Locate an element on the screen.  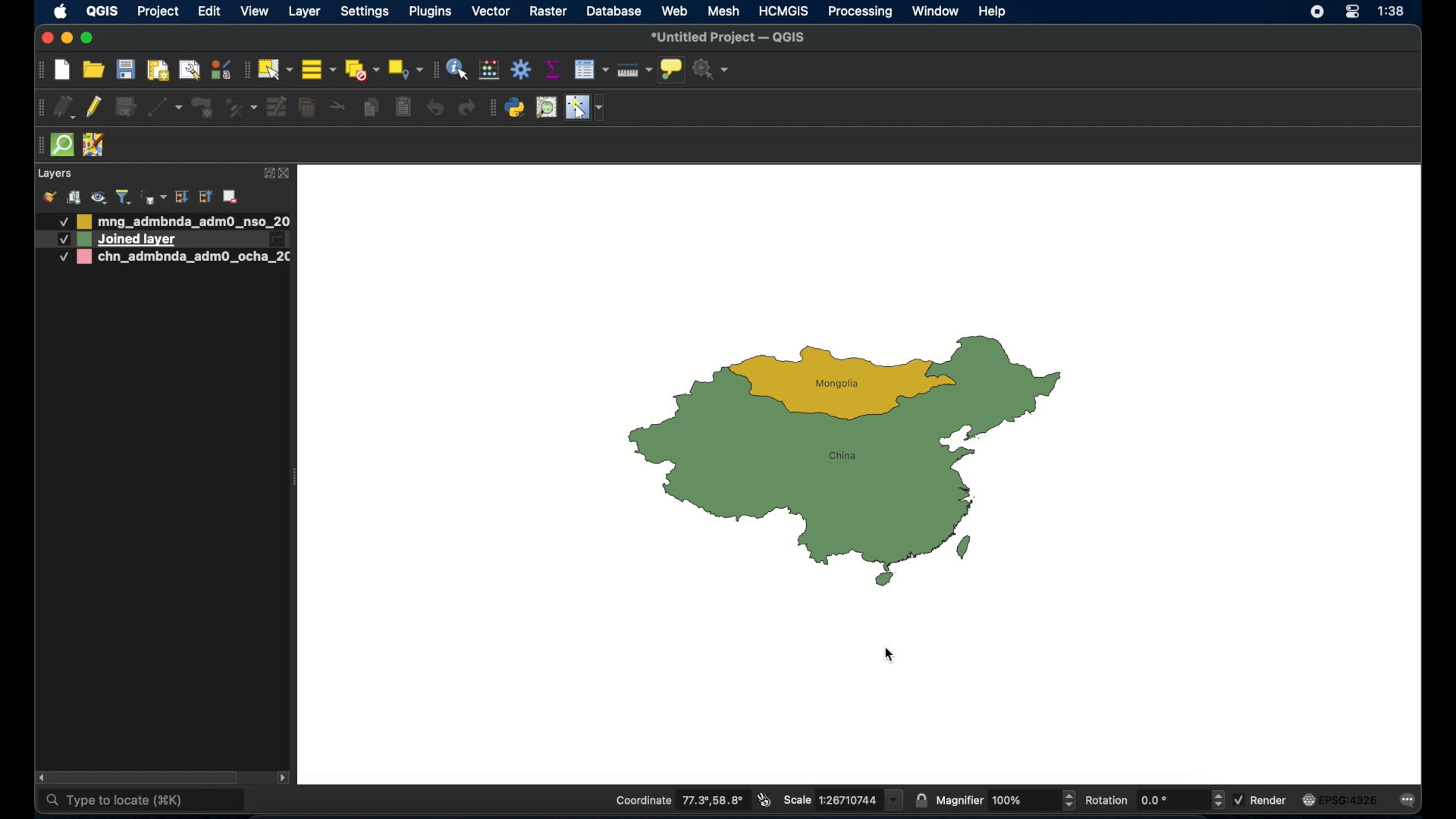
modify attributes is located at coordinates (275, 108).